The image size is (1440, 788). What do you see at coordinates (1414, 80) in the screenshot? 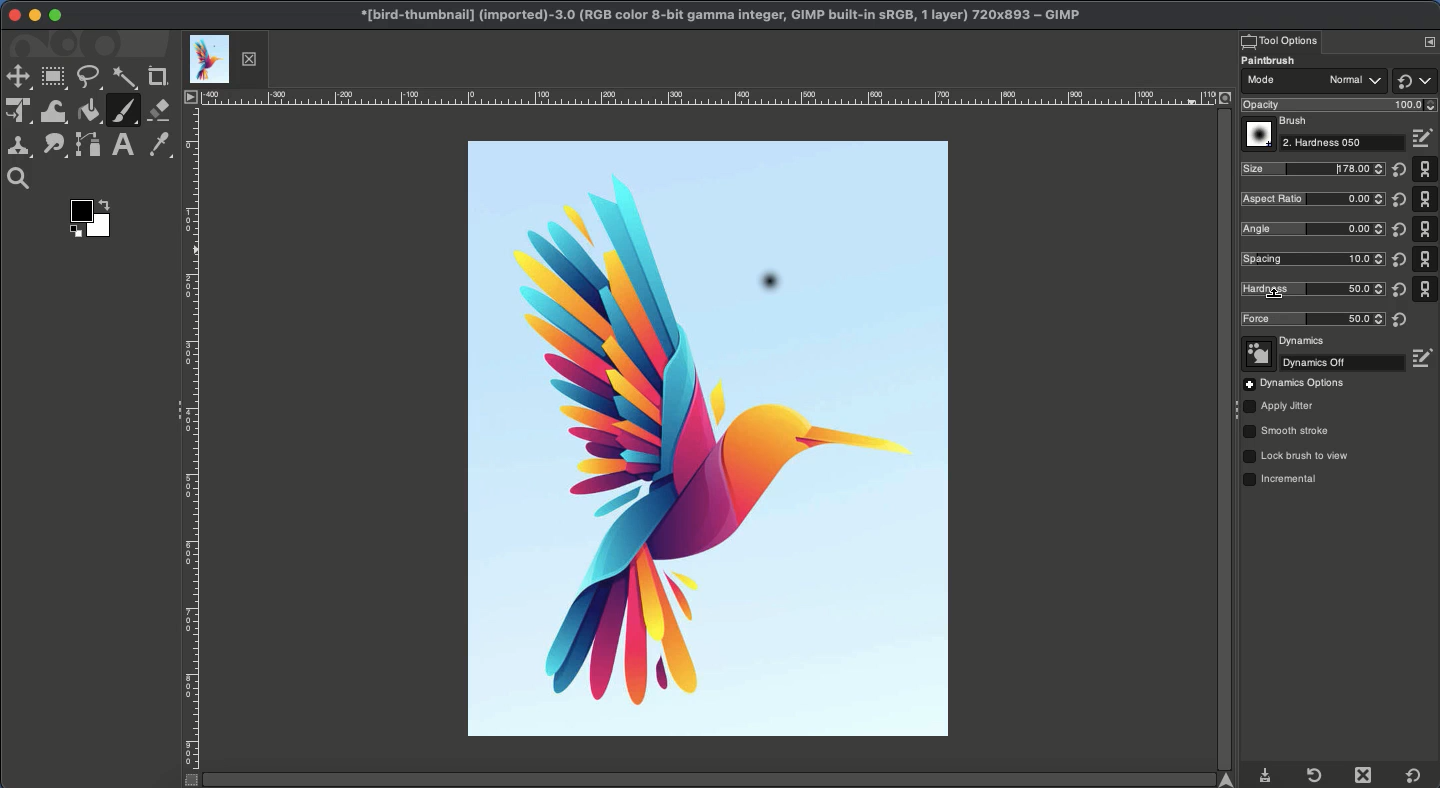
I see `Default` at bounding box center [1414, 80].